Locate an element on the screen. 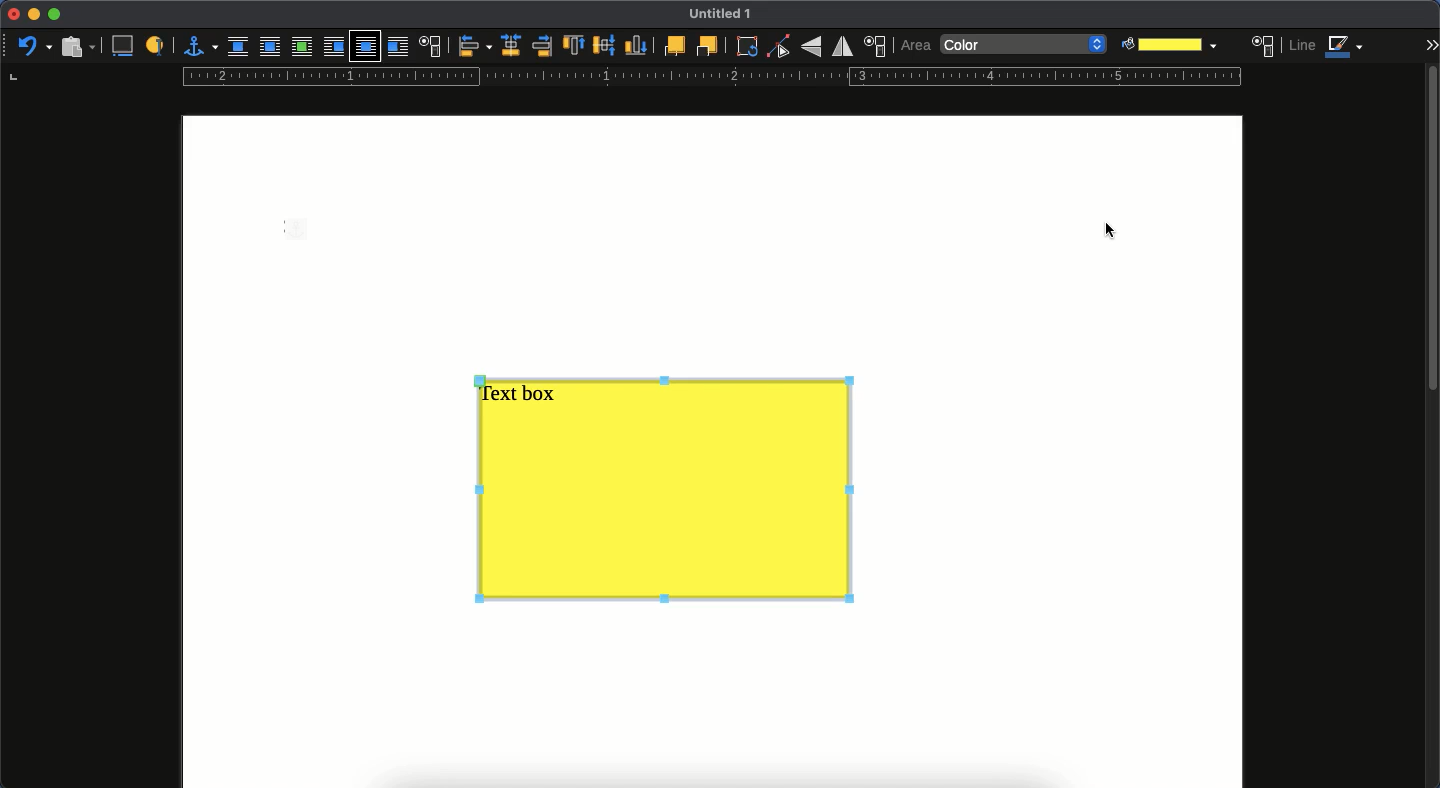 Image resolution: width=1440 pixels, height=788 pixels. area is located at coordinates (916, 45).